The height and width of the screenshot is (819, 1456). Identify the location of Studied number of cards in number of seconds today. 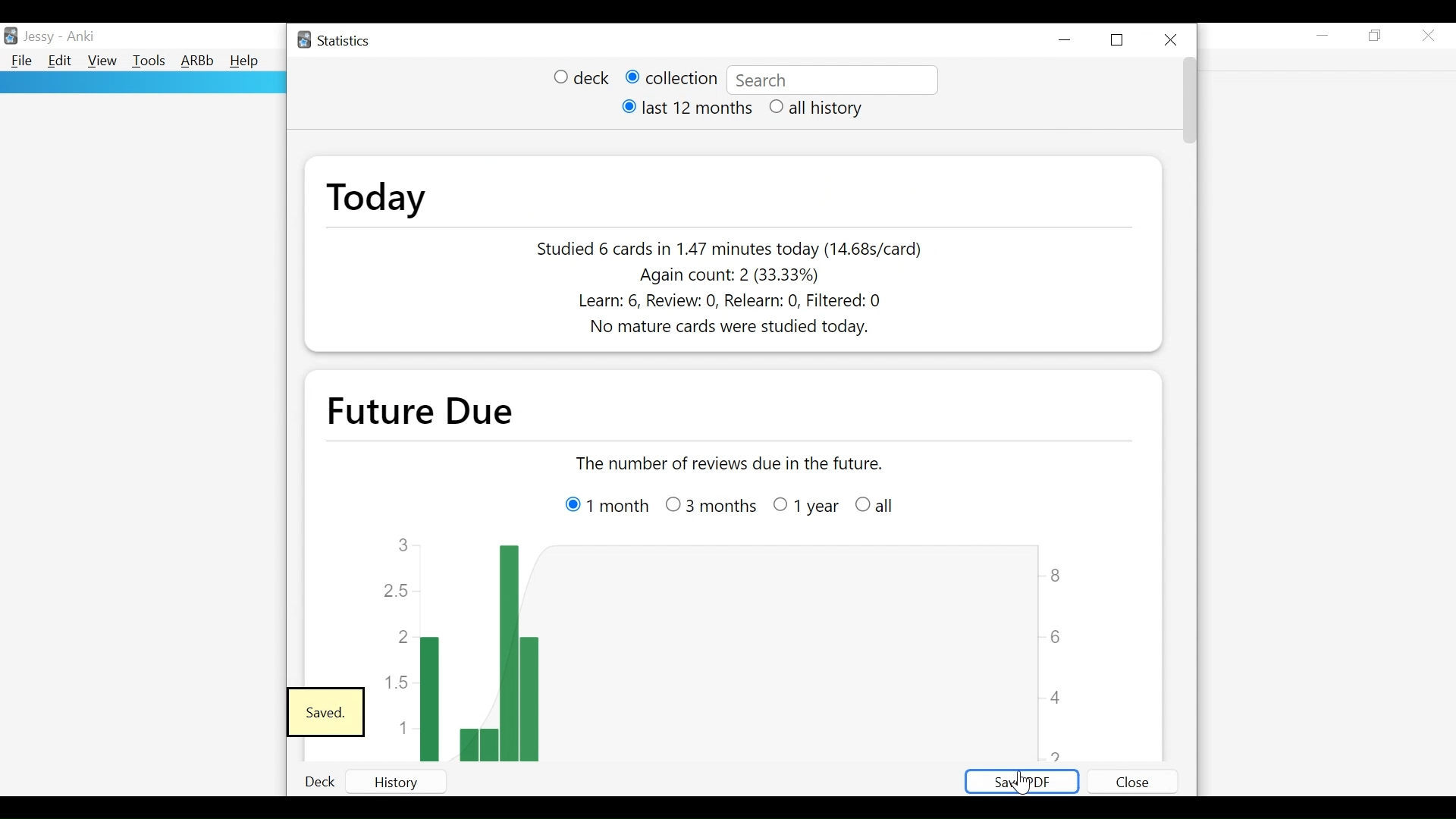
(730, 249).